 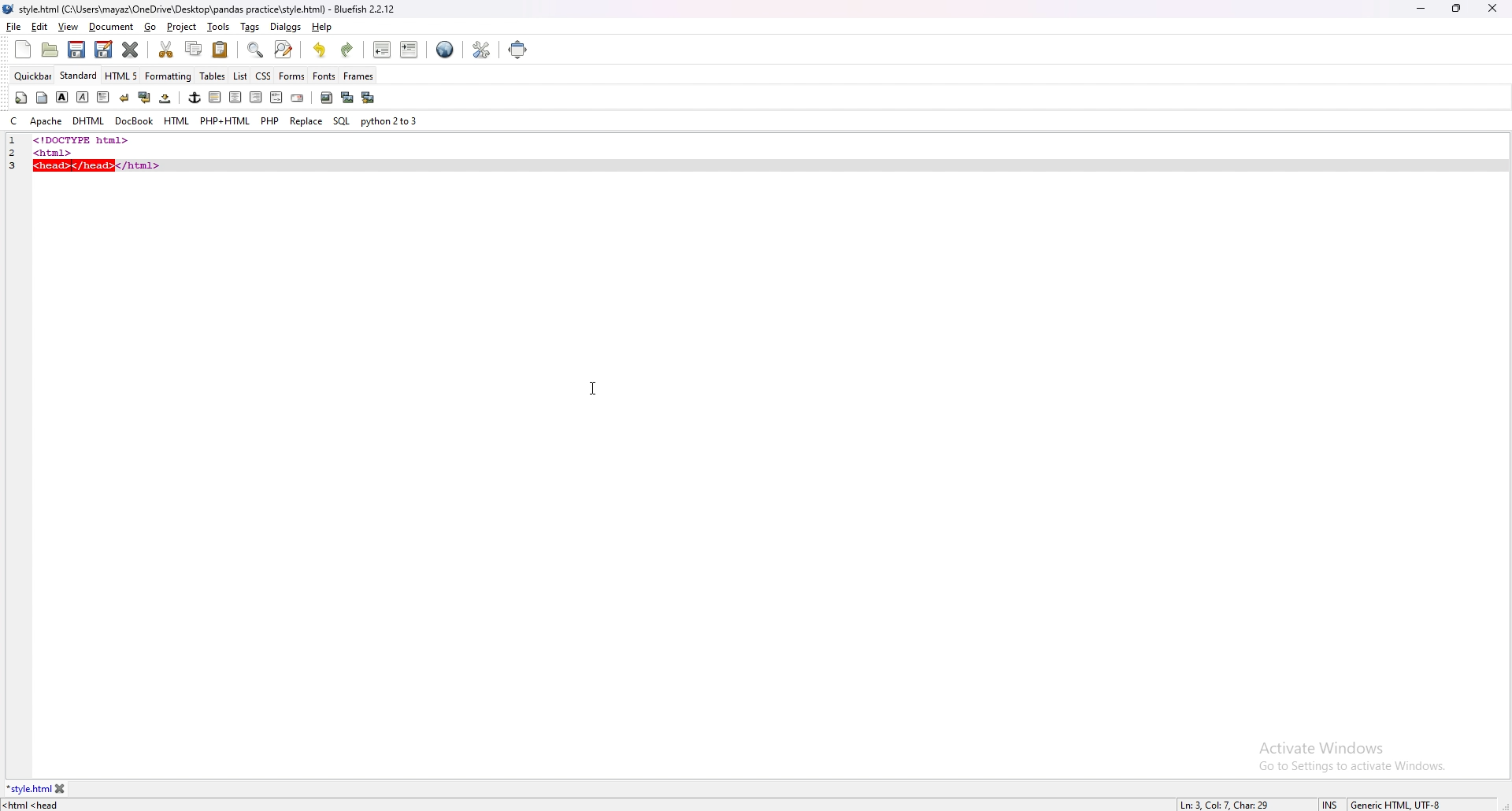 What do you see at coordinates (286, 27) in the screenshot?
I see `dialogs` at bounding box center [286, 27].